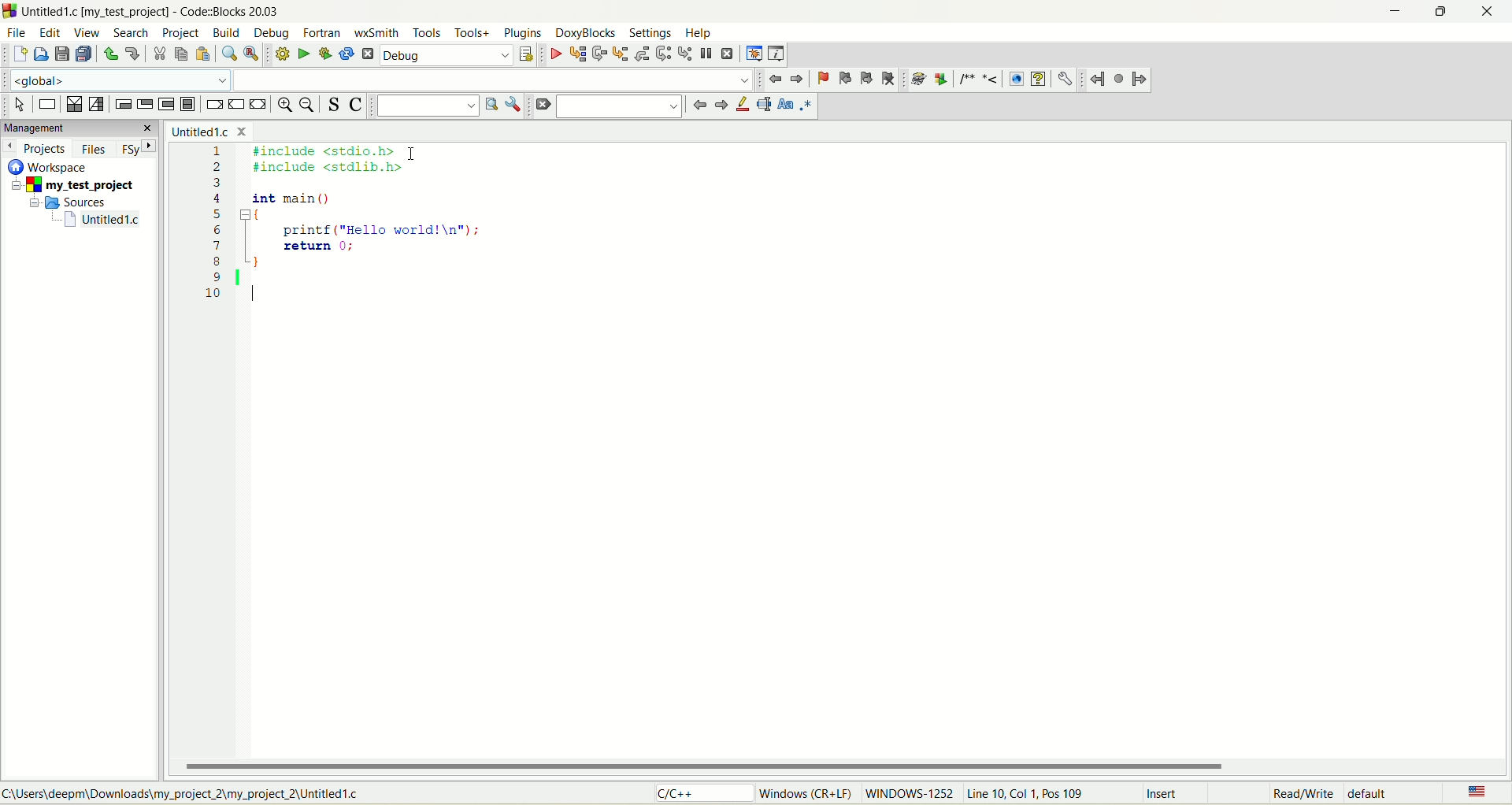 This screenshot has width=1512, height=805. I want to click on sources, so click(74, 203).